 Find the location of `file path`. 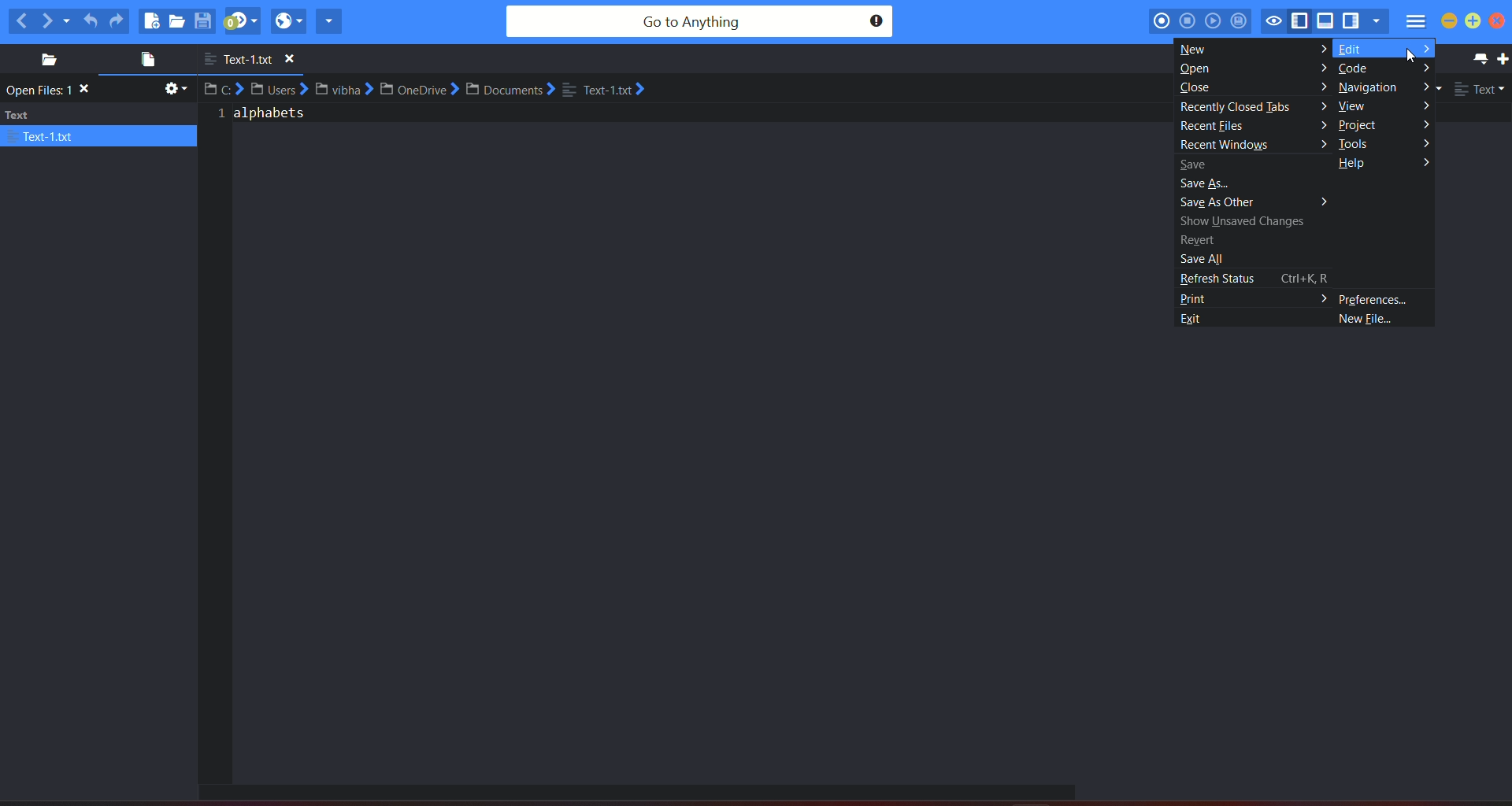

file path is located at coordinates (431, 90).